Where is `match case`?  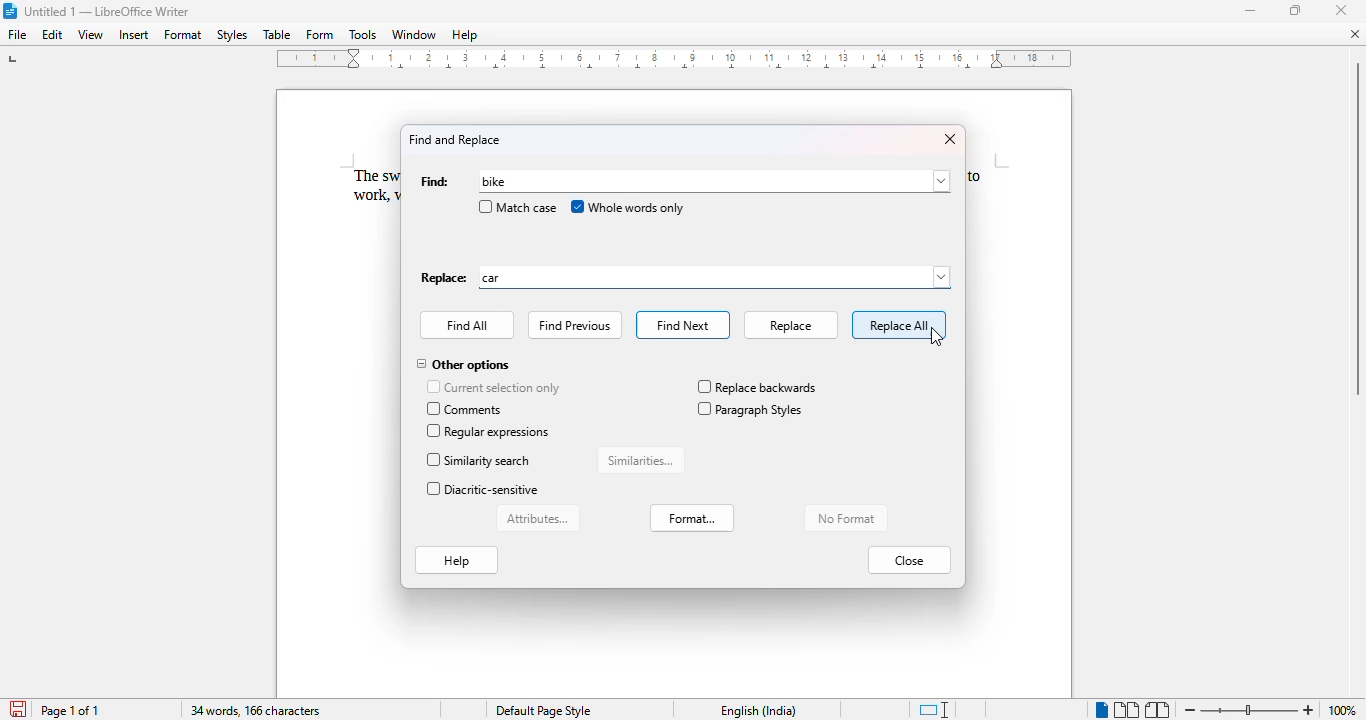
match case is located at coordinates (517, 207).